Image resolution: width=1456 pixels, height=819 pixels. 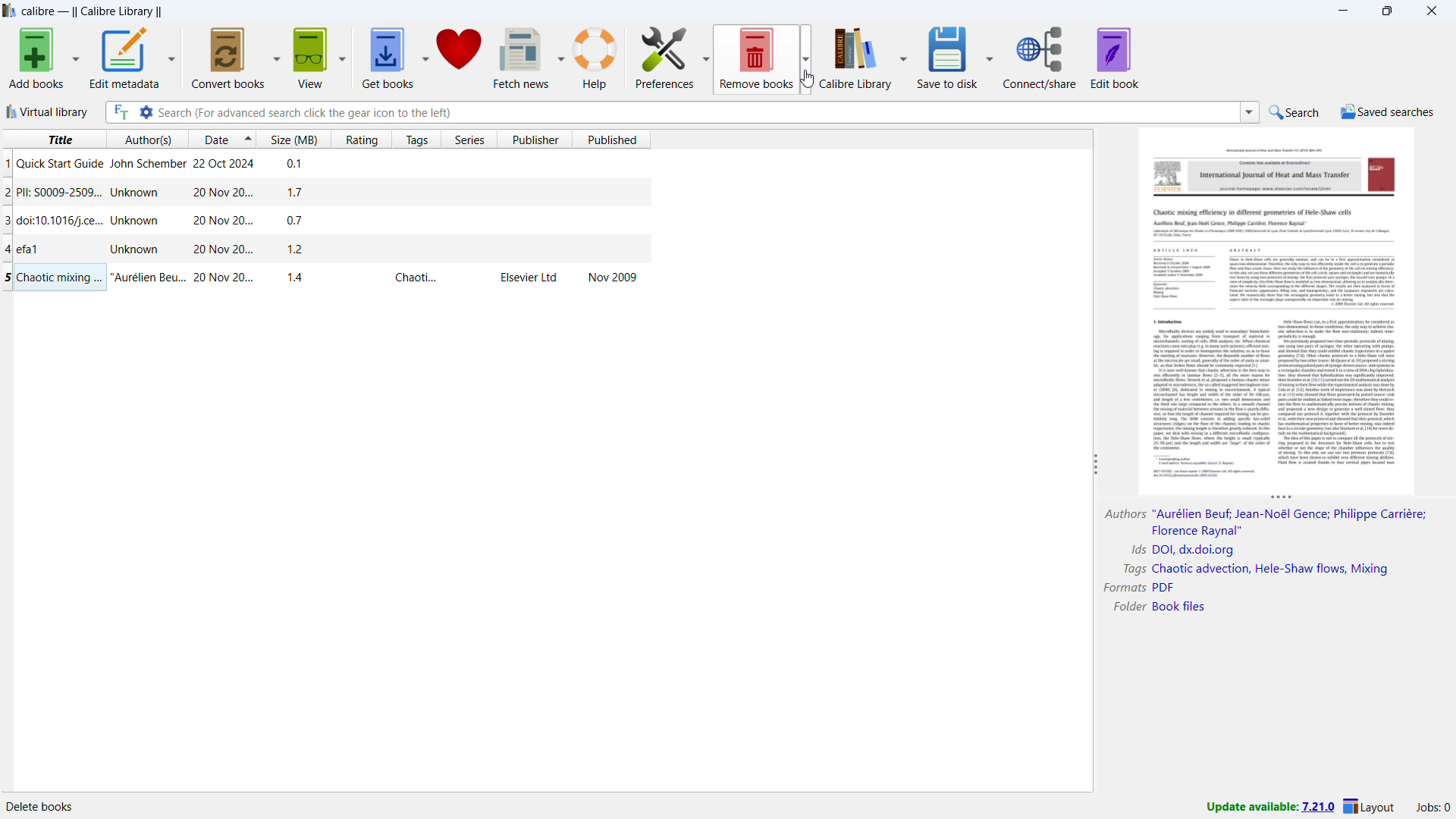 What do you see at coordinates (293, 138) in the screenshot?
I see `sort by size` at bounding box center [293, 138].